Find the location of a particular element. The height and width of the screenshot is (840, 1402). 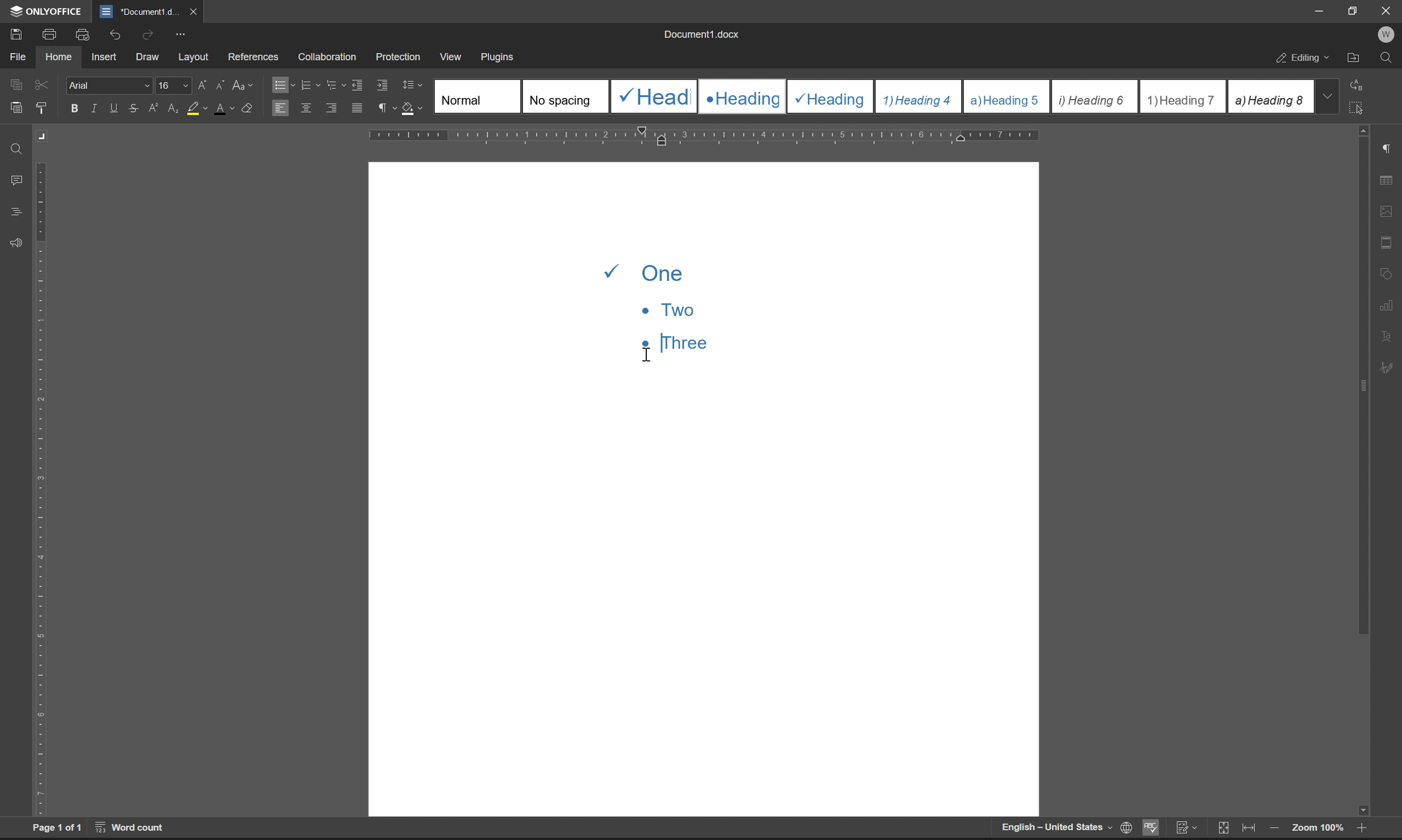

ruler is located at coordinates (705, 136).